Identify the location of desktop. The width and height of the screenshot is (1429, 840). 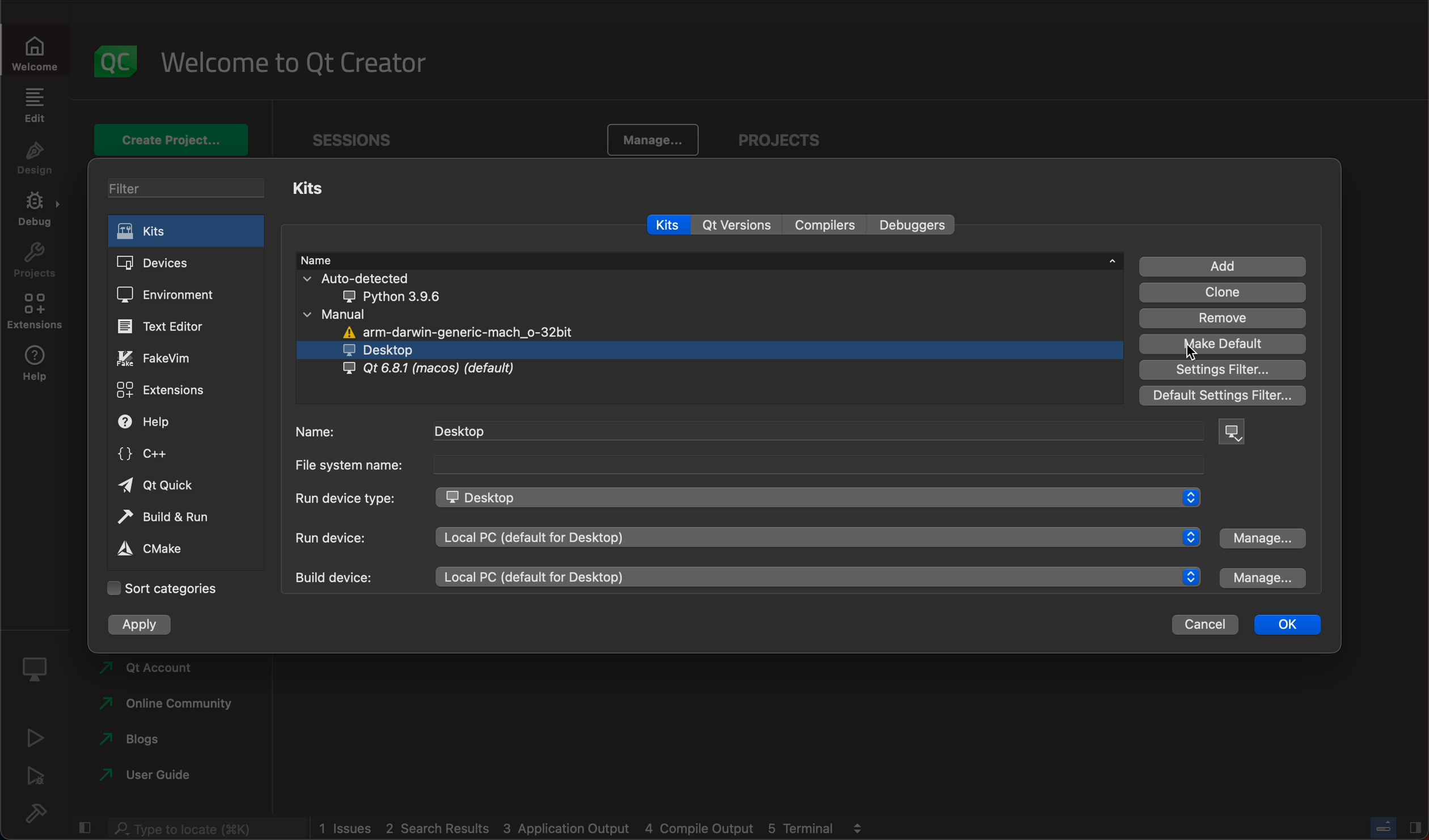
(818, 499).